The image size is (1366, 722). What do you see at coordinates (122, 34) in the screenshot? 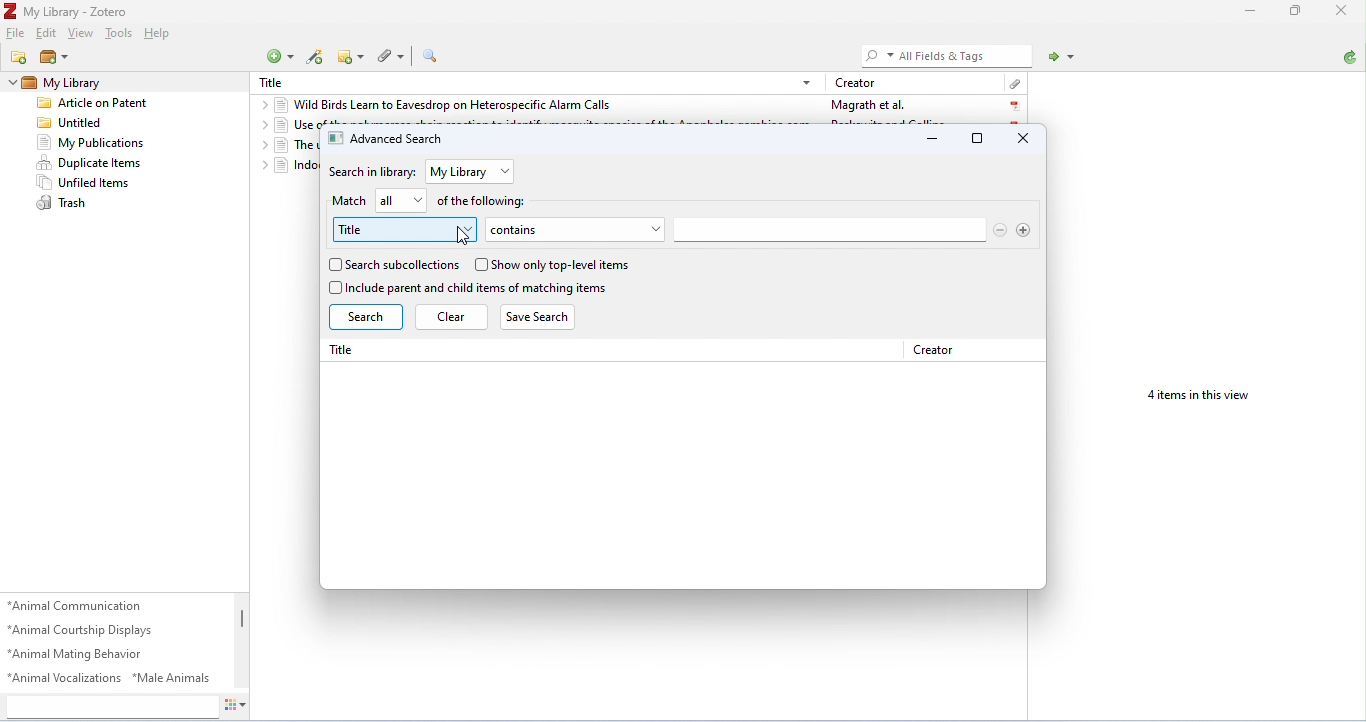
I see `tools` at bounding box center [122, 34].